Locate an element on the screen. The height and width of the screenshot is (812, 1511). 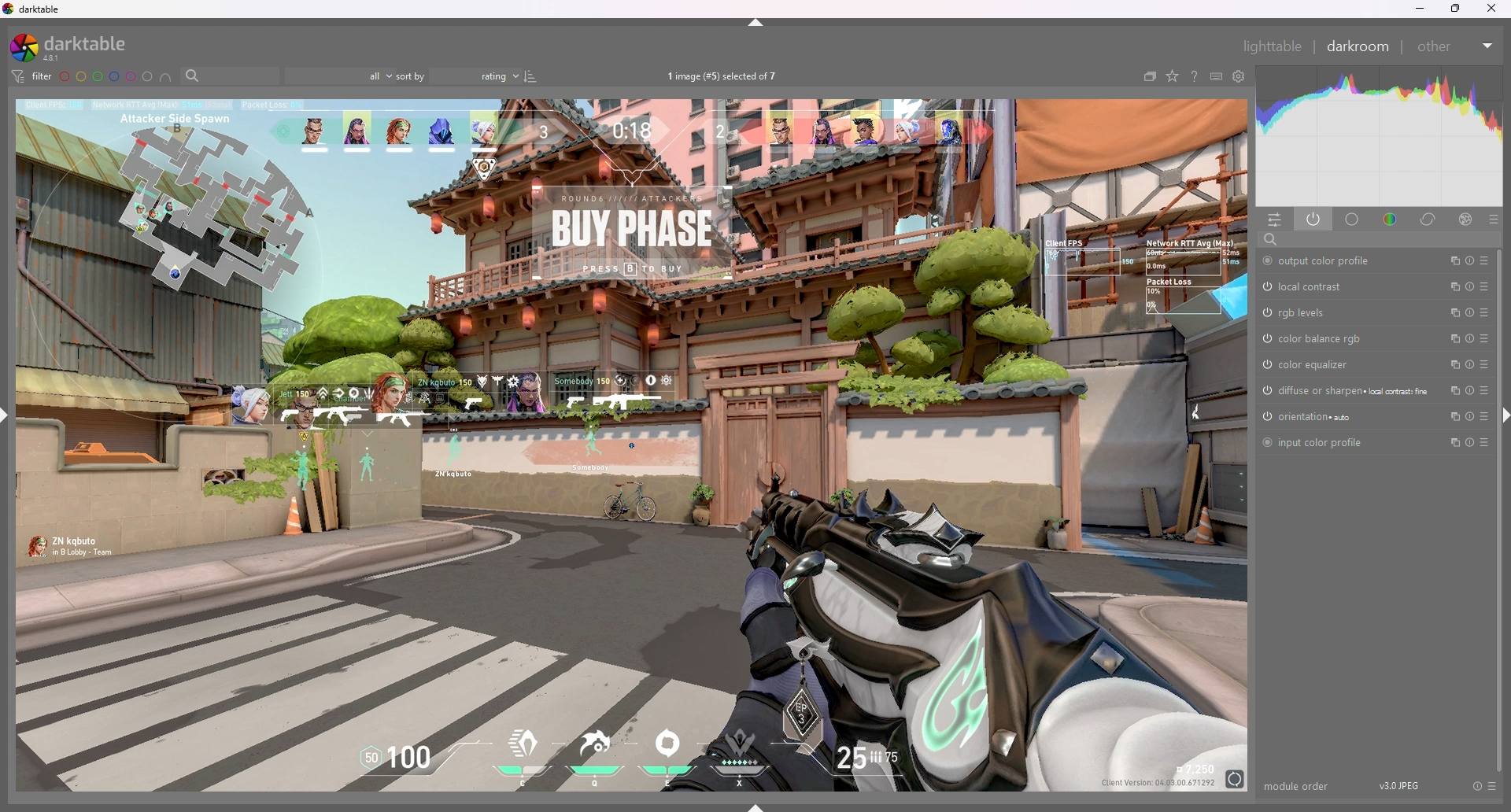
sort by is located at coordinates (459, 76).